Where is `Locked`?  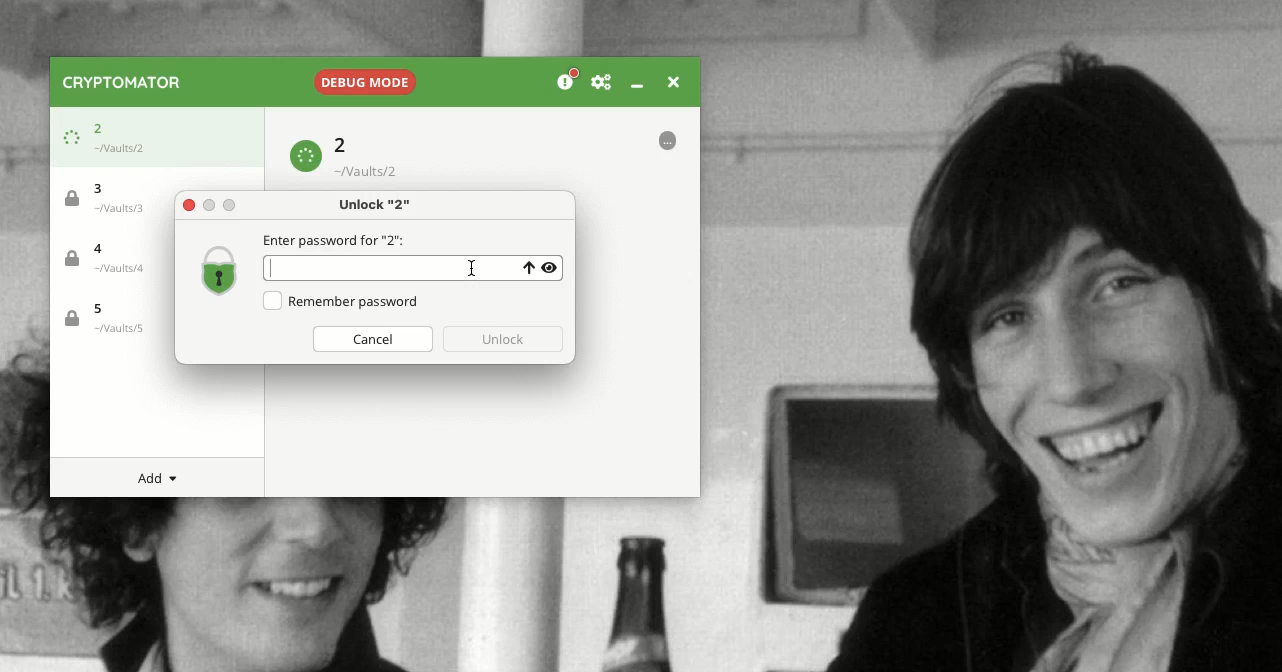
Locked is located at coordinates (220, 271).